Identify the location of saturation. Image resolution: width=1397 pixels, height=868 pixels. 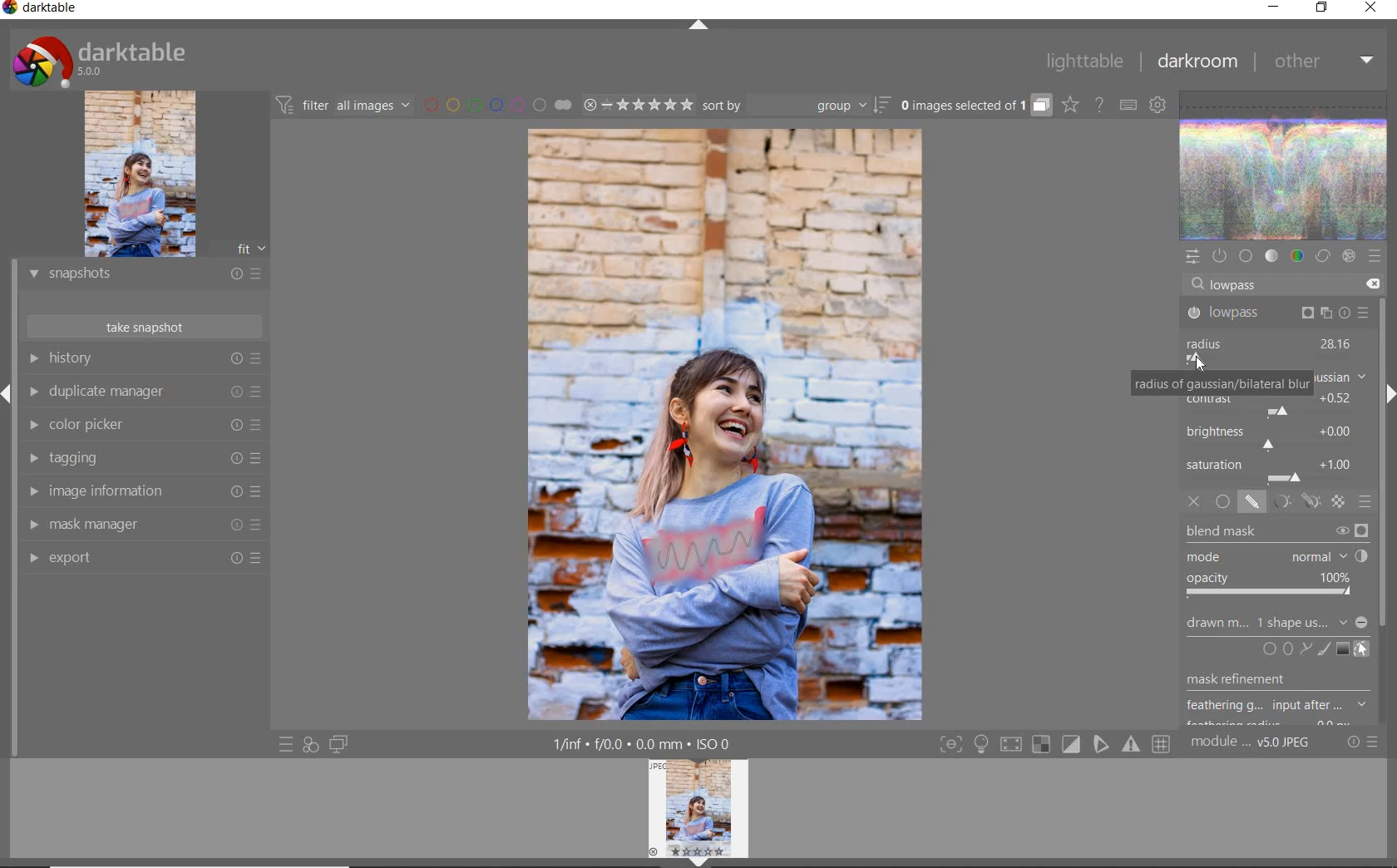
(1275, 470).